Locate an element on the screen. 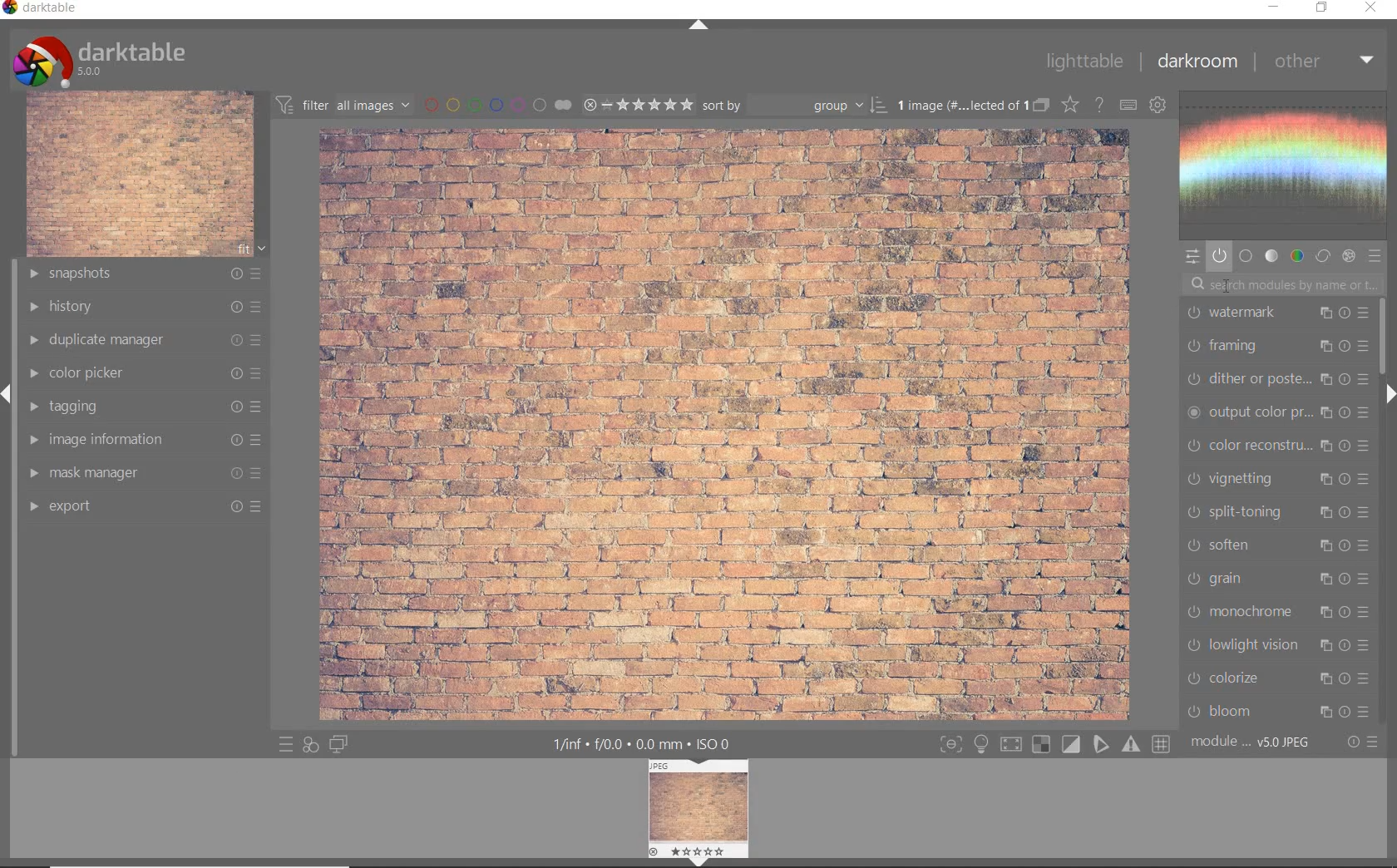  scrollbar is located at coordinates (1386, 339).